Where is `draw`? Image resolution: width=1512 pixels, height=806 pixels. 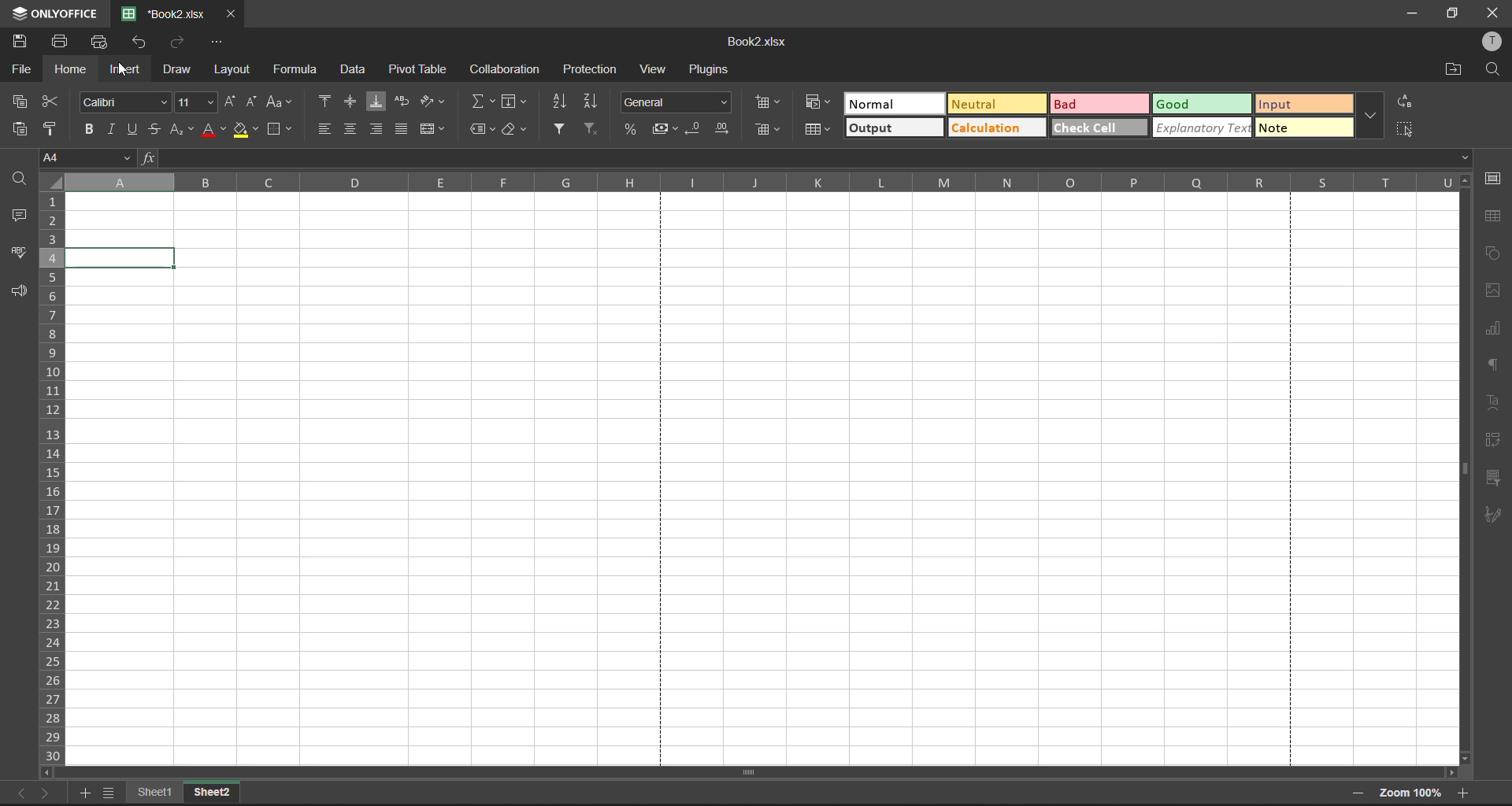 draw is located at coordinates (178, 72).